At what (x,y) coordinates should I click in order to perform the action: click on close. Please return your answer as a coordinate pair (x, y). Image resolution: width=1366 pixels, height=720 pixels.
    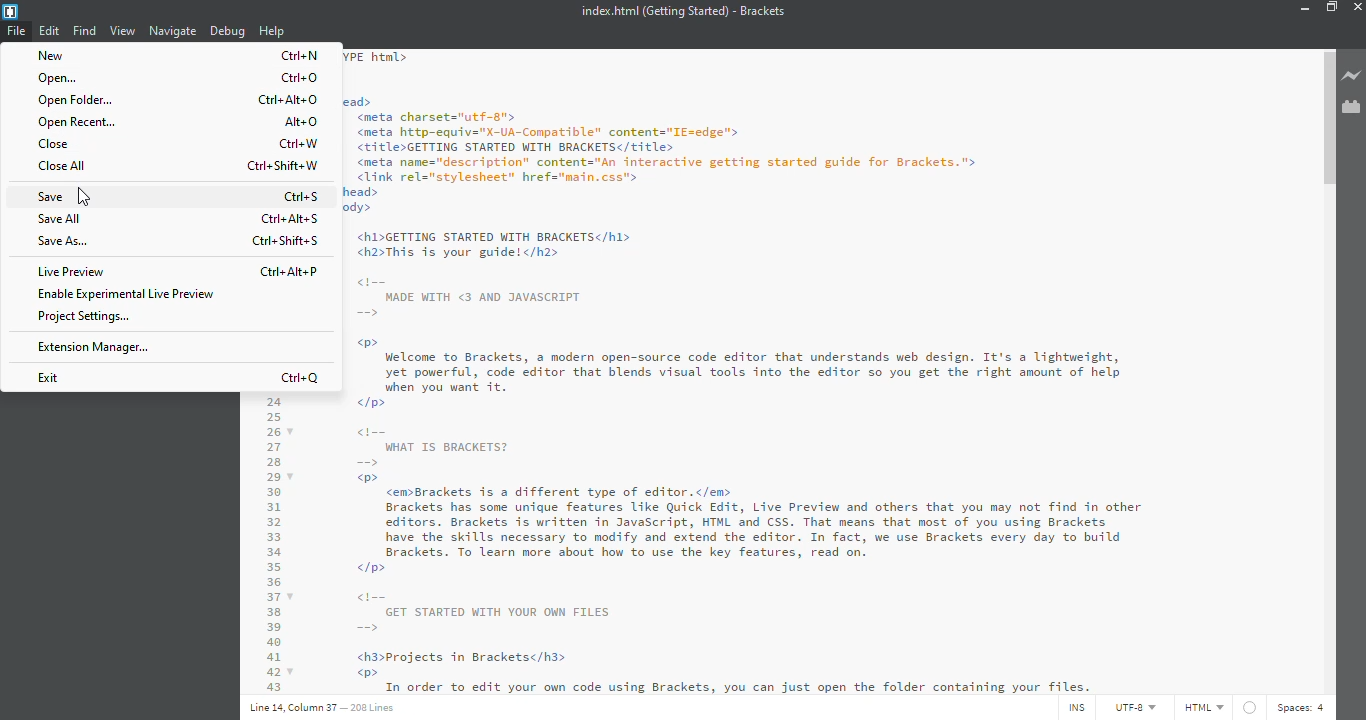
    Looking at the image, I should click on (57, 143).